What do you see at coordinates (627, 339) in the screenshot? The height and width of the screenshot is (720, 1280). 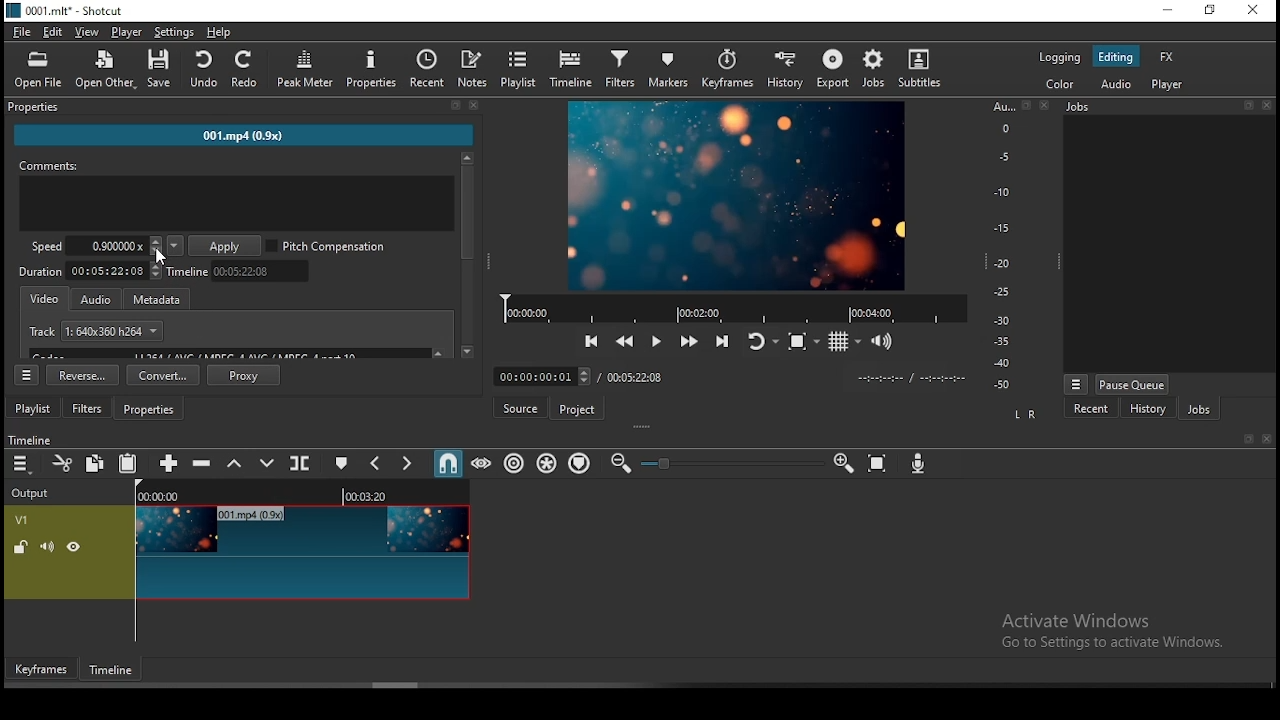 I see `play quickly backward` at bounding box center [627, 339].